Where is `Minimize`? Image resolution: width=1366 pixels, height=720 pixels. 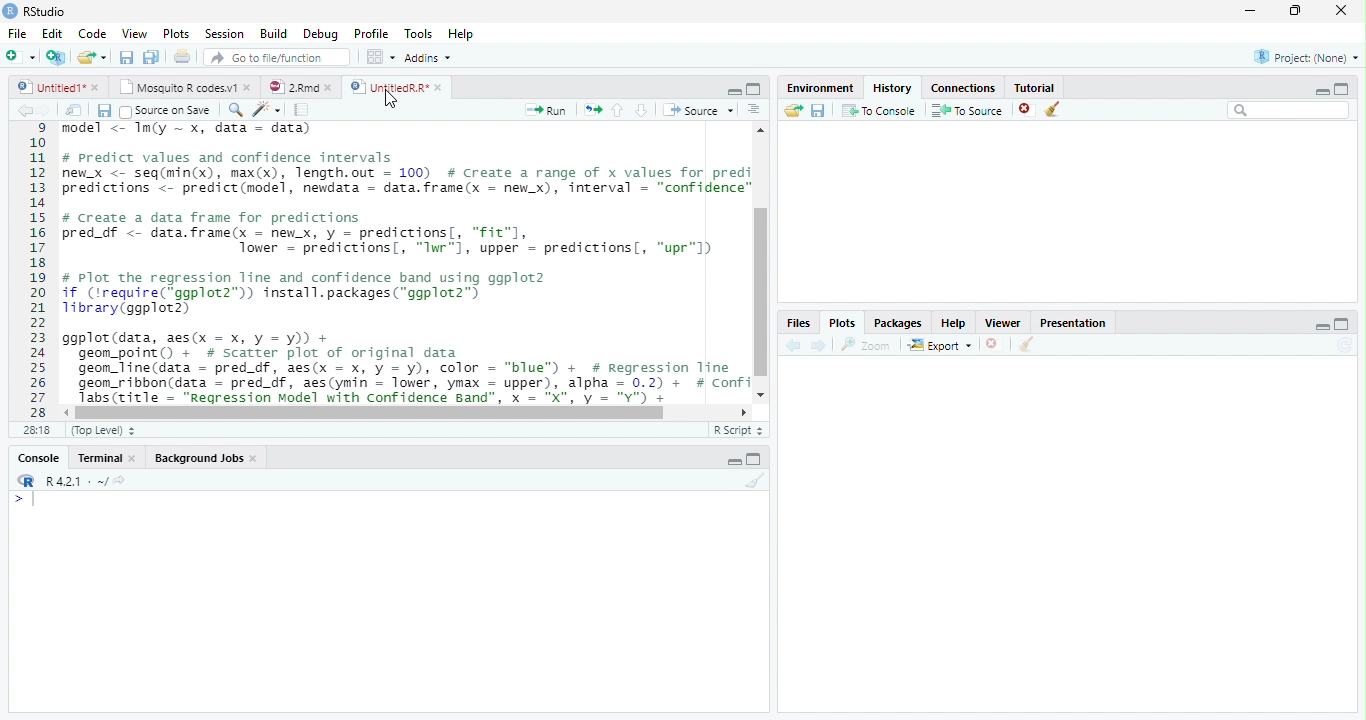
Minimize is located at coordinates (734, 462).